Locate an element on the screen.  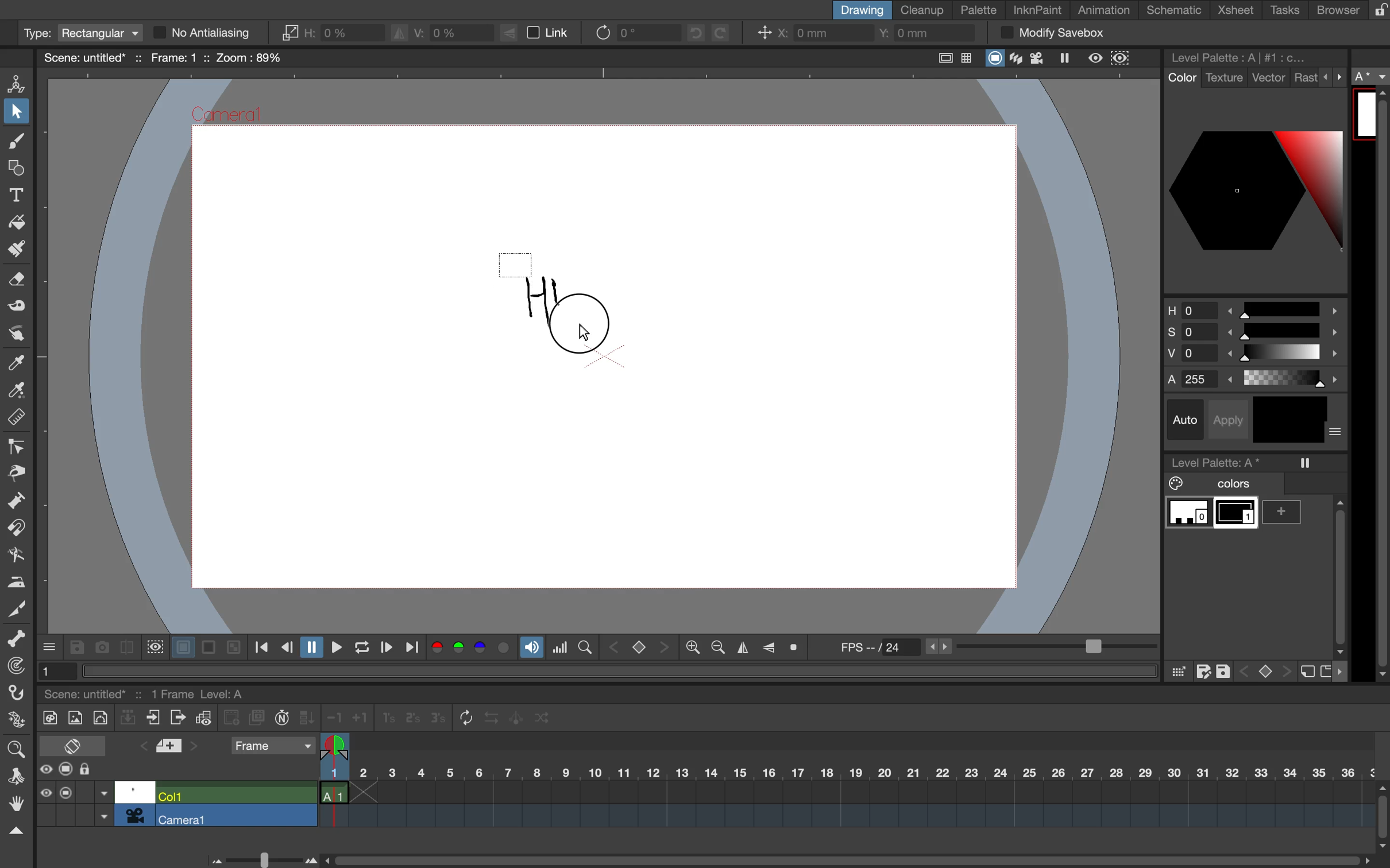
collapse is located at coordinates (128, 719).